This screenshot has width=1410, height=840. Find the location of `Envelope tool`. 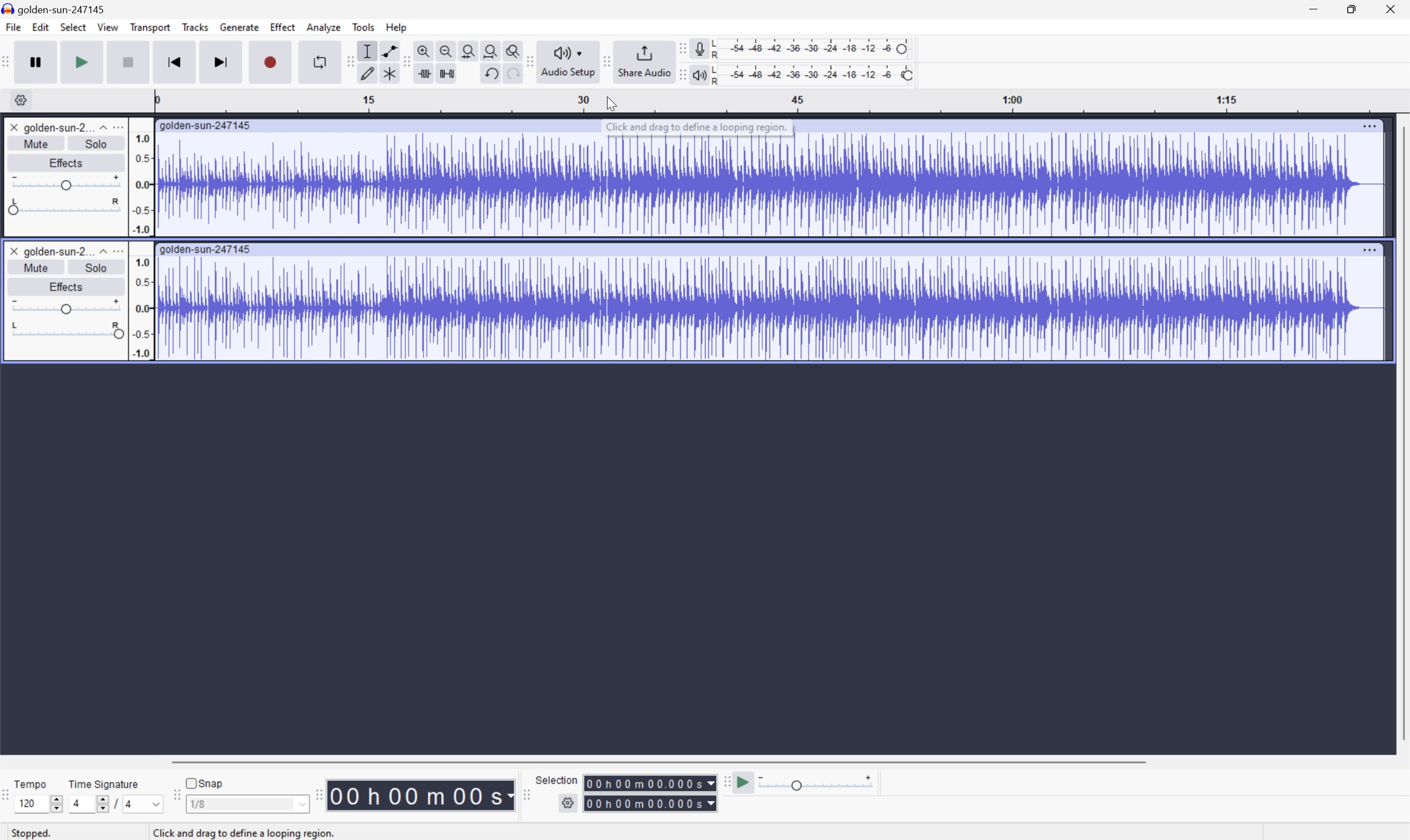

Envelope tool is located at coordinates (389, 50).